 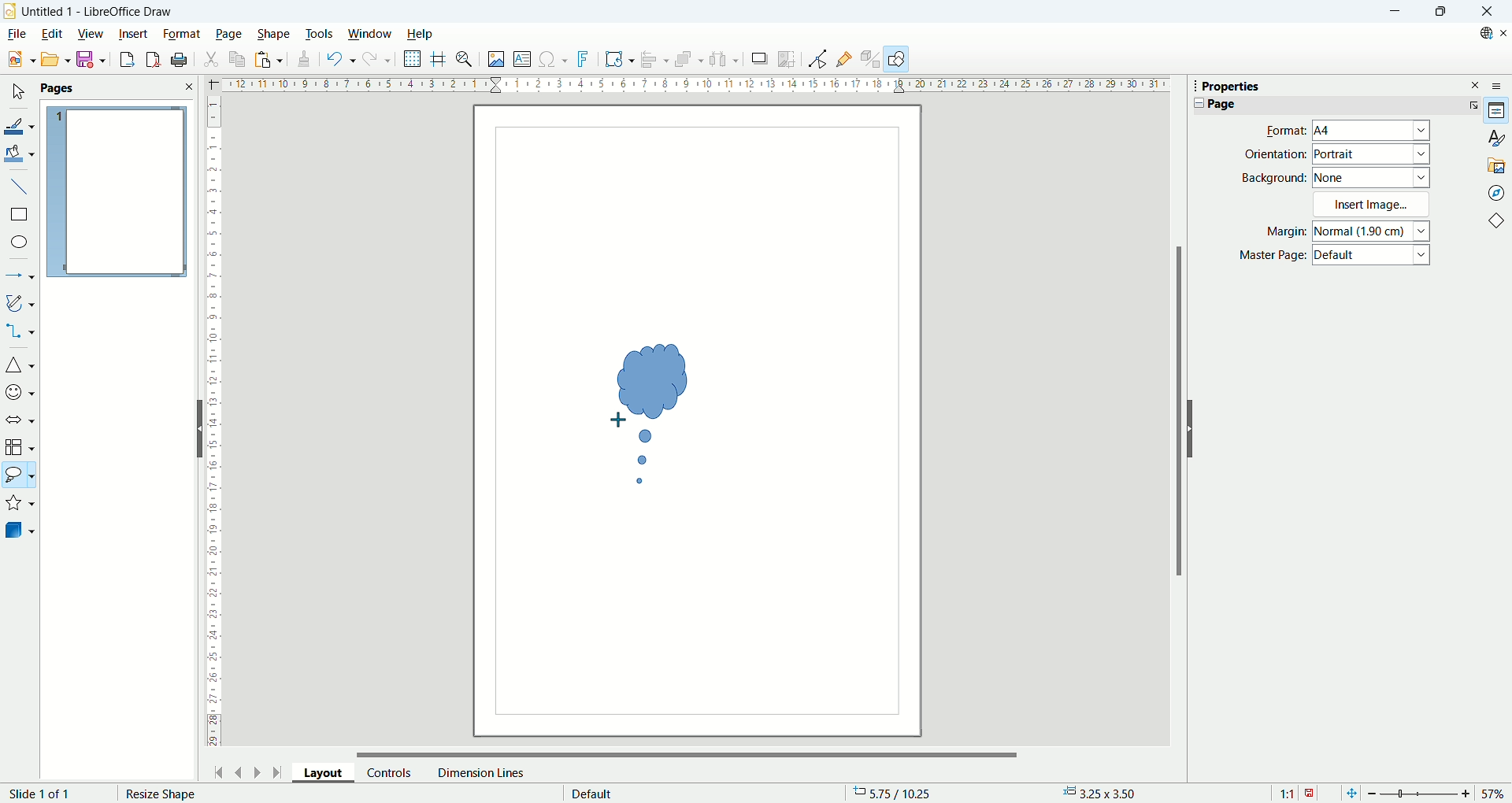 I want to click on toggle extrusion, so click(x=871, y=60).